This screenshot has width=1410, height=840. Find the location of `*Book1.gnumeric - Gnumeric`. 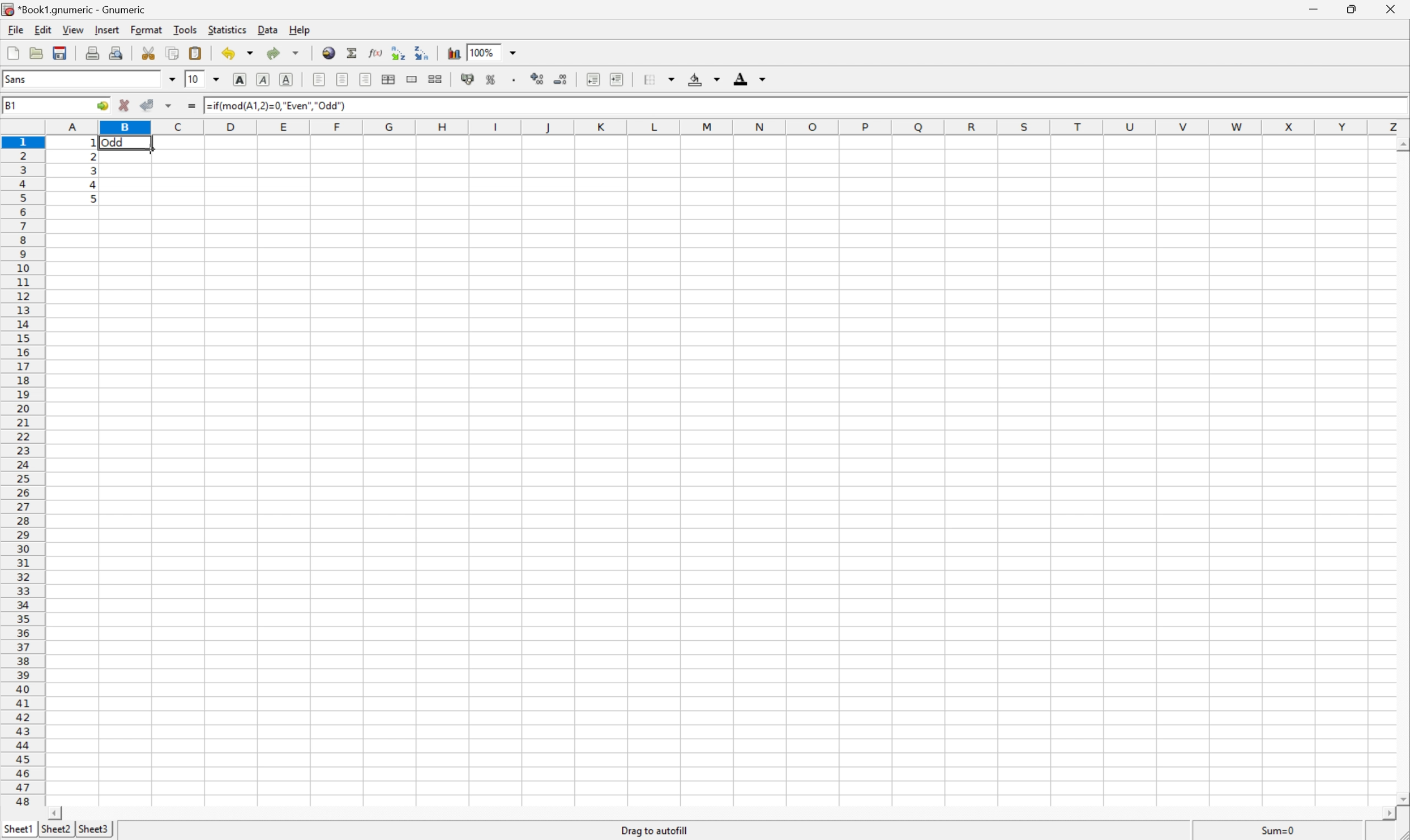

*Book1.gnumeric - Gnumeric is located at coordinates (78, 10).